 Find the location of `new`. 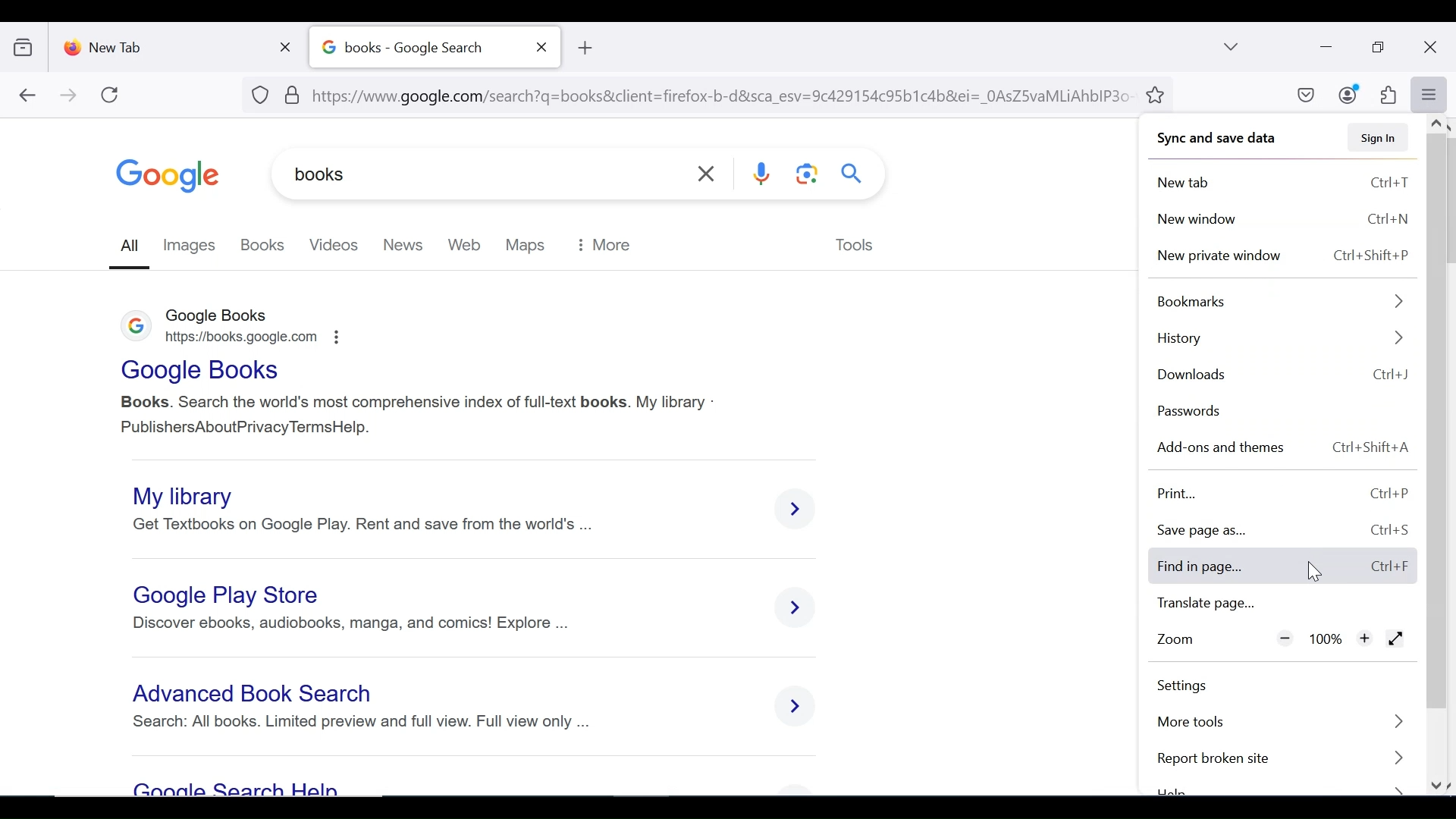

new is located at coordinates (402, 243).